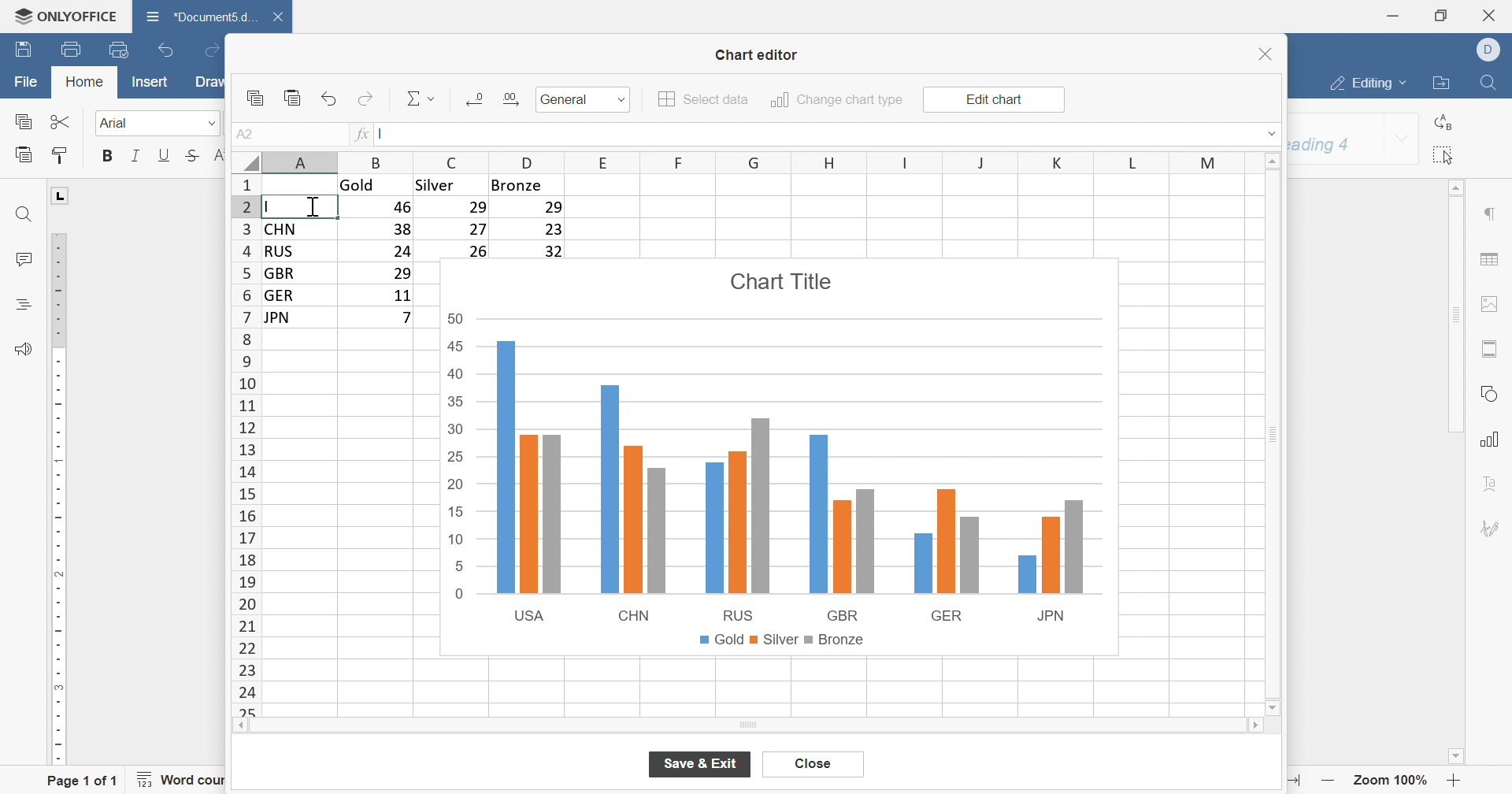 The height and width of the screenshot is (794, 1512). What do you see at coordinates (22, 121) in the screenshot?
I see `copy` at bounding box center [22, 121].